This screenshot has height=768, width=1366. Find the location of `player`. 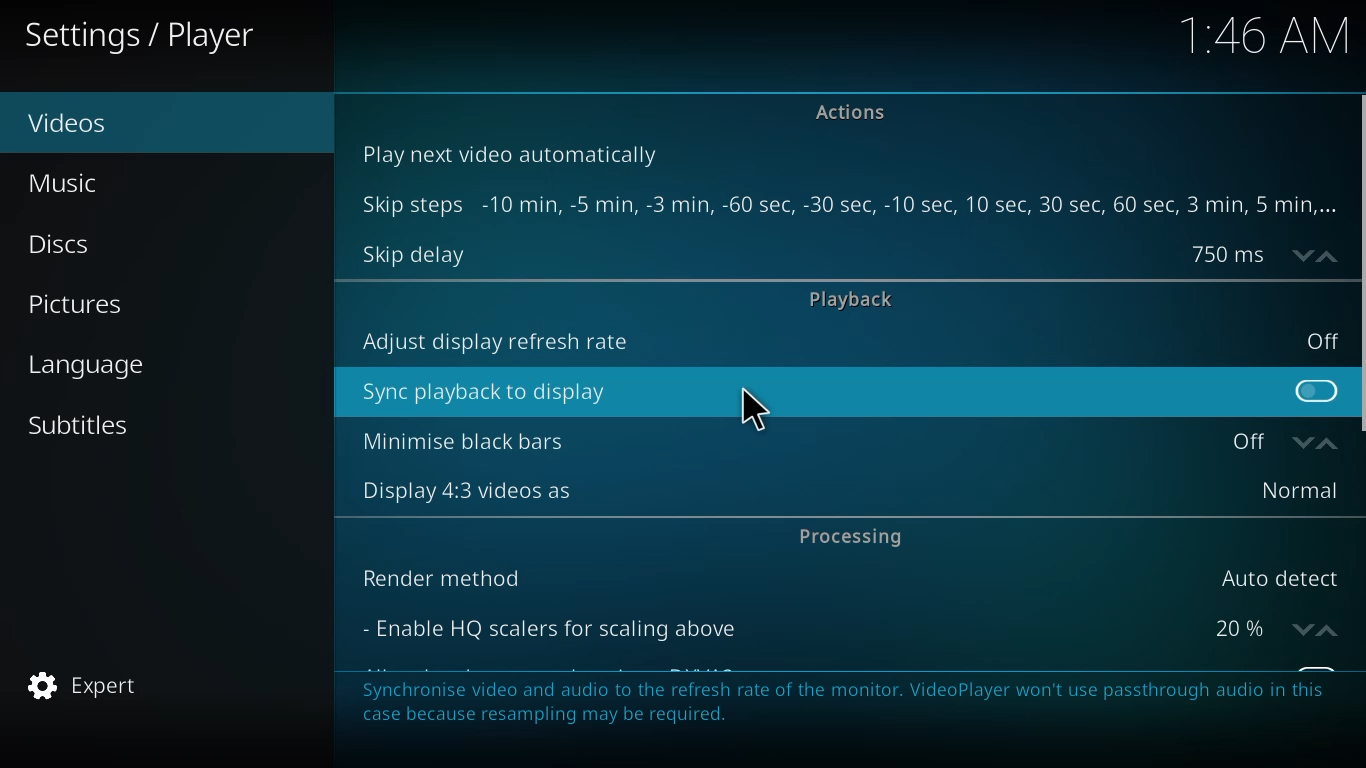

player is located at coordinates (147, 30).